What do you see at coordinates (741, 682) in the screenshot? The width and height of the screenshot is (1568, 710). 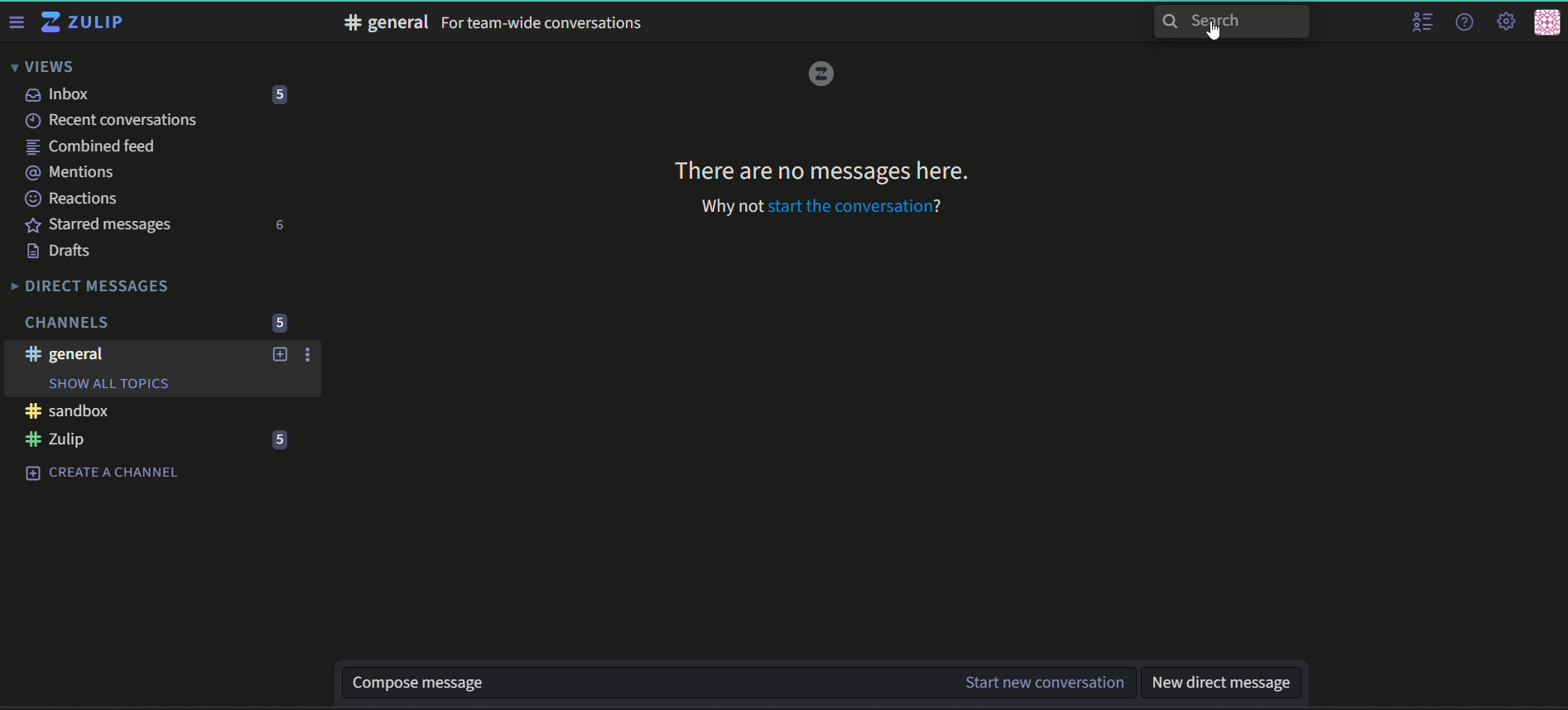 I see `textbox` at bounding box center [741, 682].